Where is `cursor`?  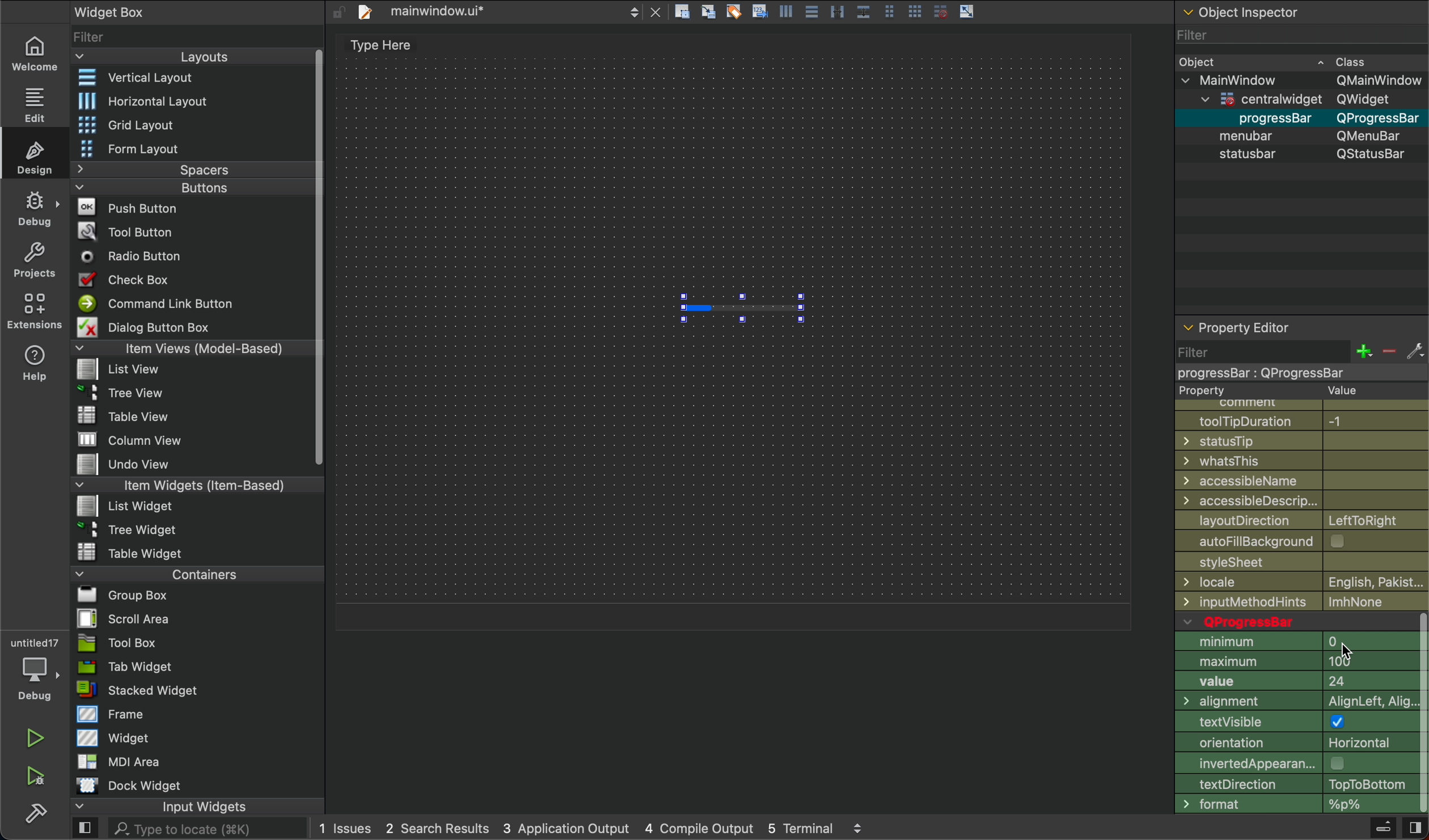
cursor is located at coordinates (1348, 651).